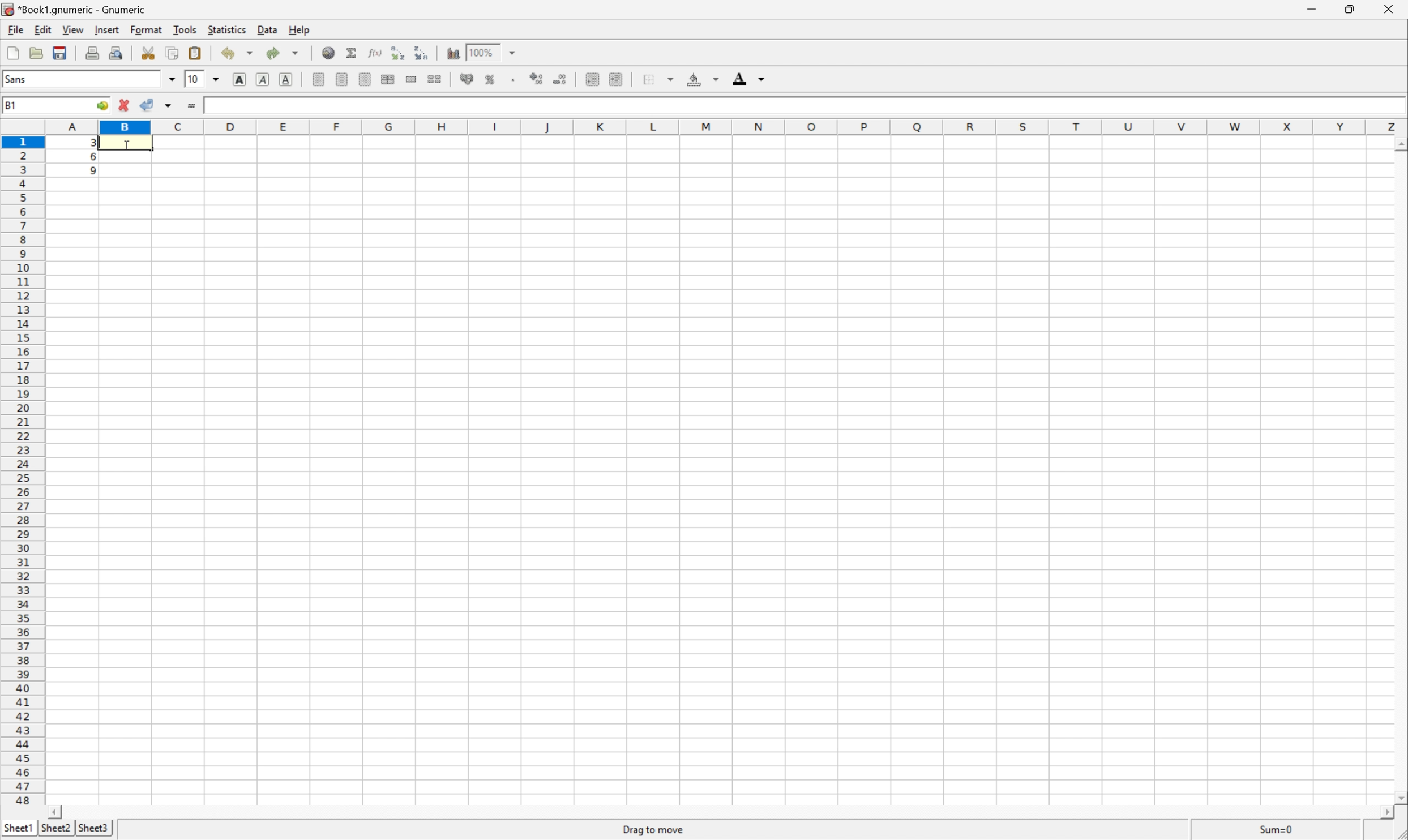 The width and height of the screenshot is (1408, 840). Describe the element at coordinates (42, 29) in the screenshot. I see `Edit` at that location.